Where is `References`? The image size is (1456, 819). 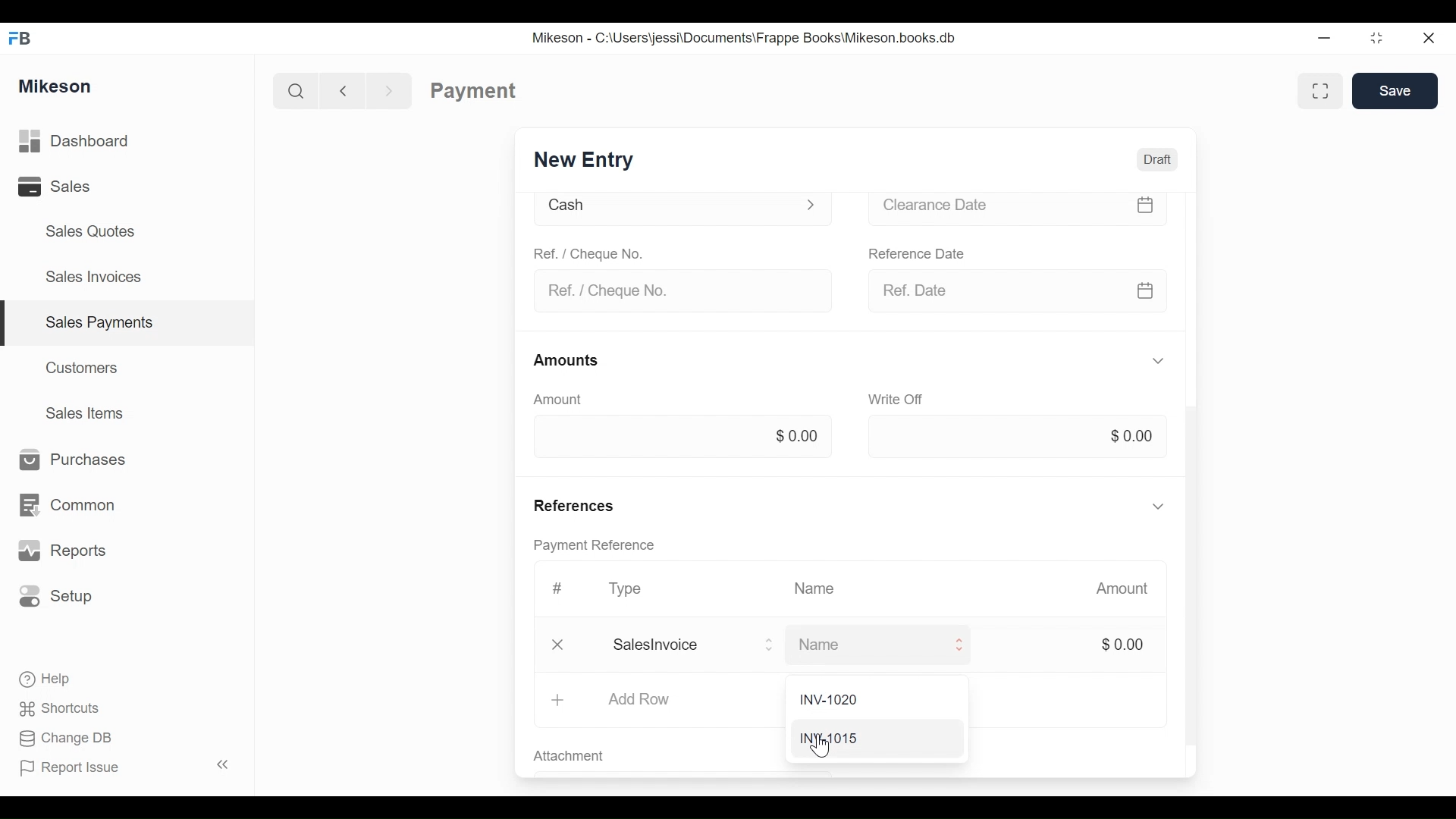
References is located at coordinates (581, 505).